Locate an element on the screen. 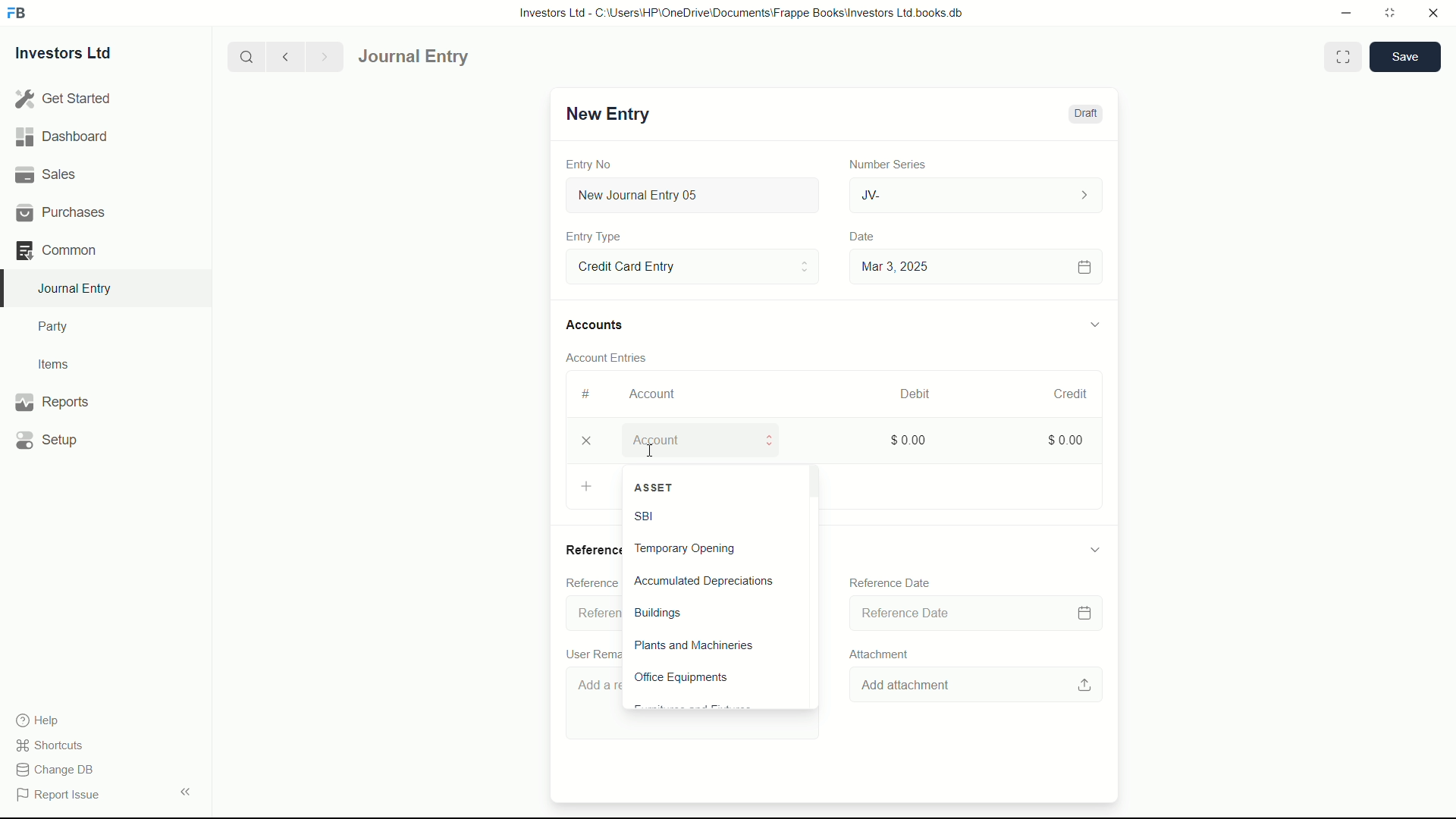 This screenshot has height=819, width=1456. expand/collapse is located at coordinates (185, 790).